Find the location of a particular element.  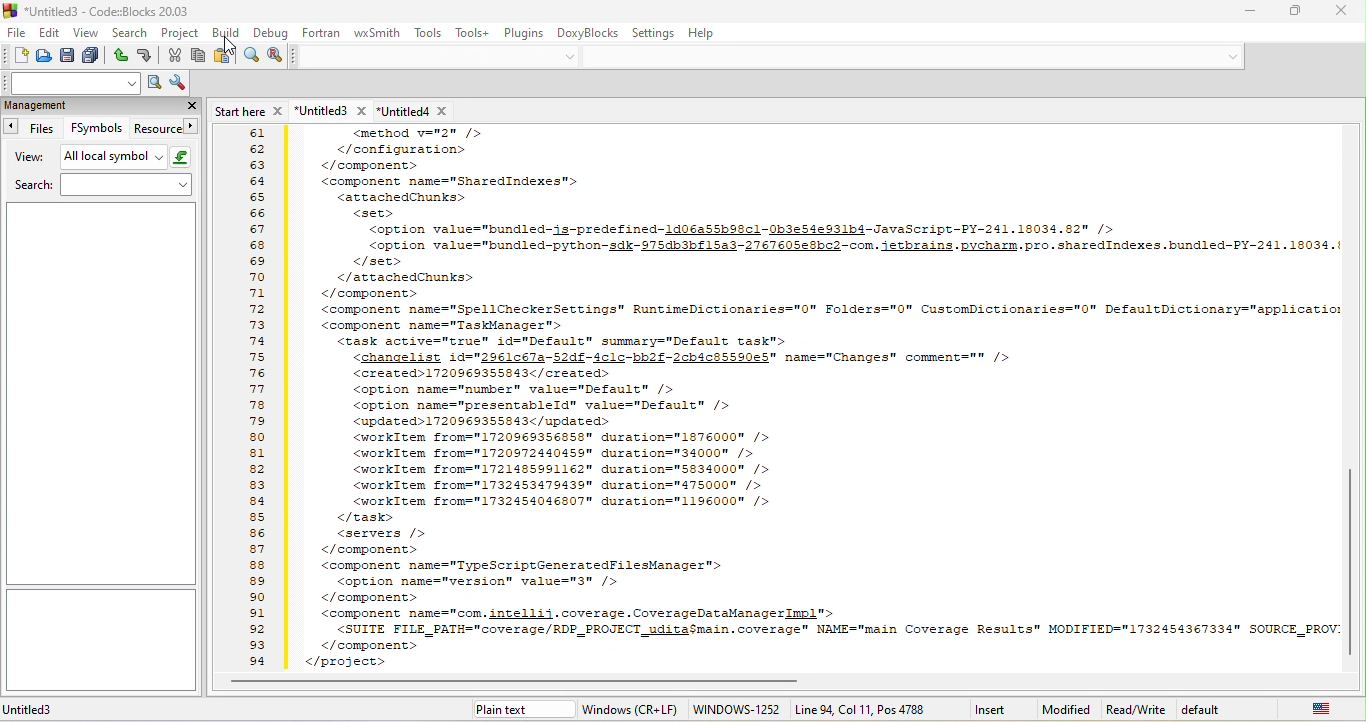

windows is located at coordinates (634, 708).